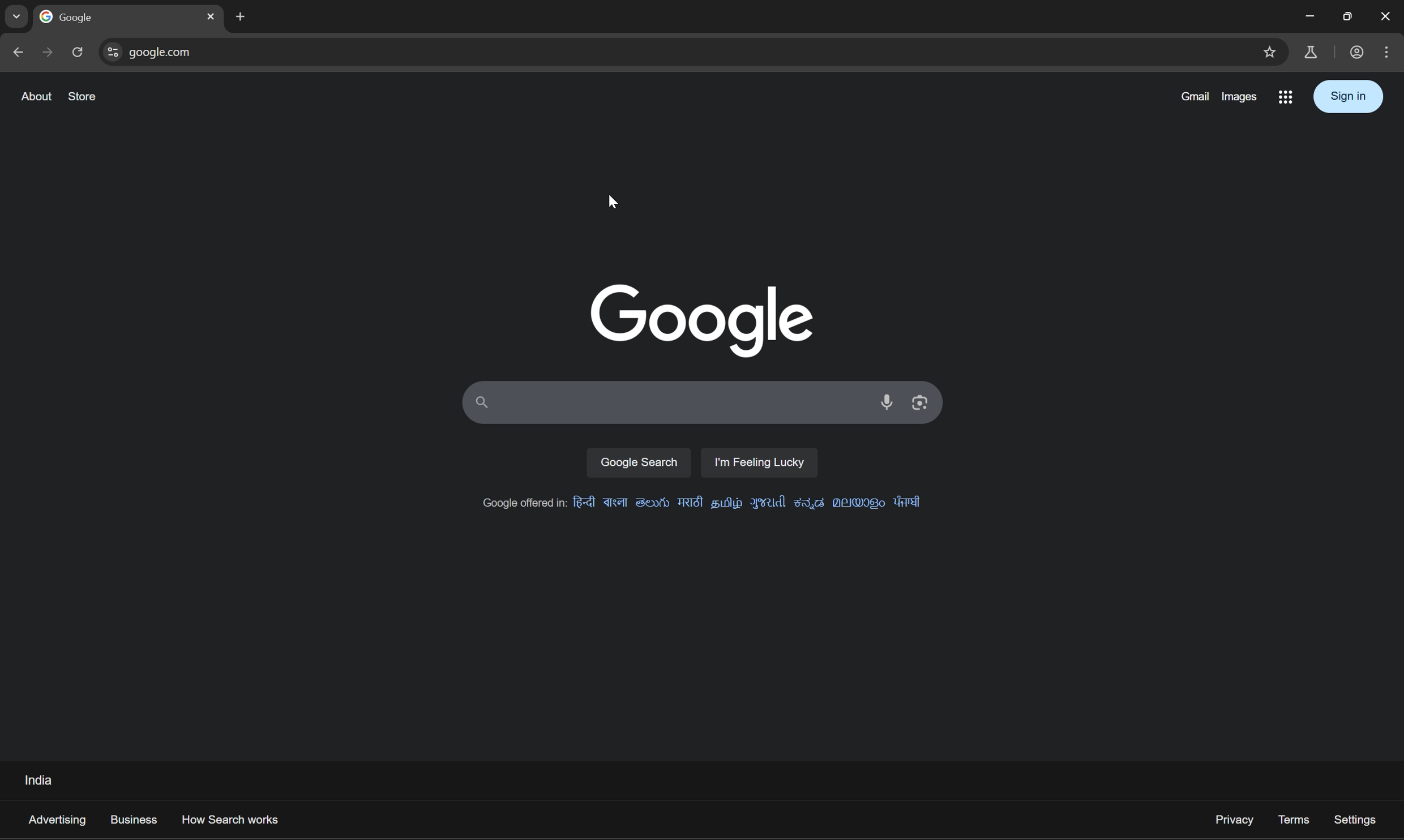 The image size is (1404, 840). What do you see at coordinates (1287, 97) in the screenshot?
I see `search labs` at bounding box center [1287, 97].